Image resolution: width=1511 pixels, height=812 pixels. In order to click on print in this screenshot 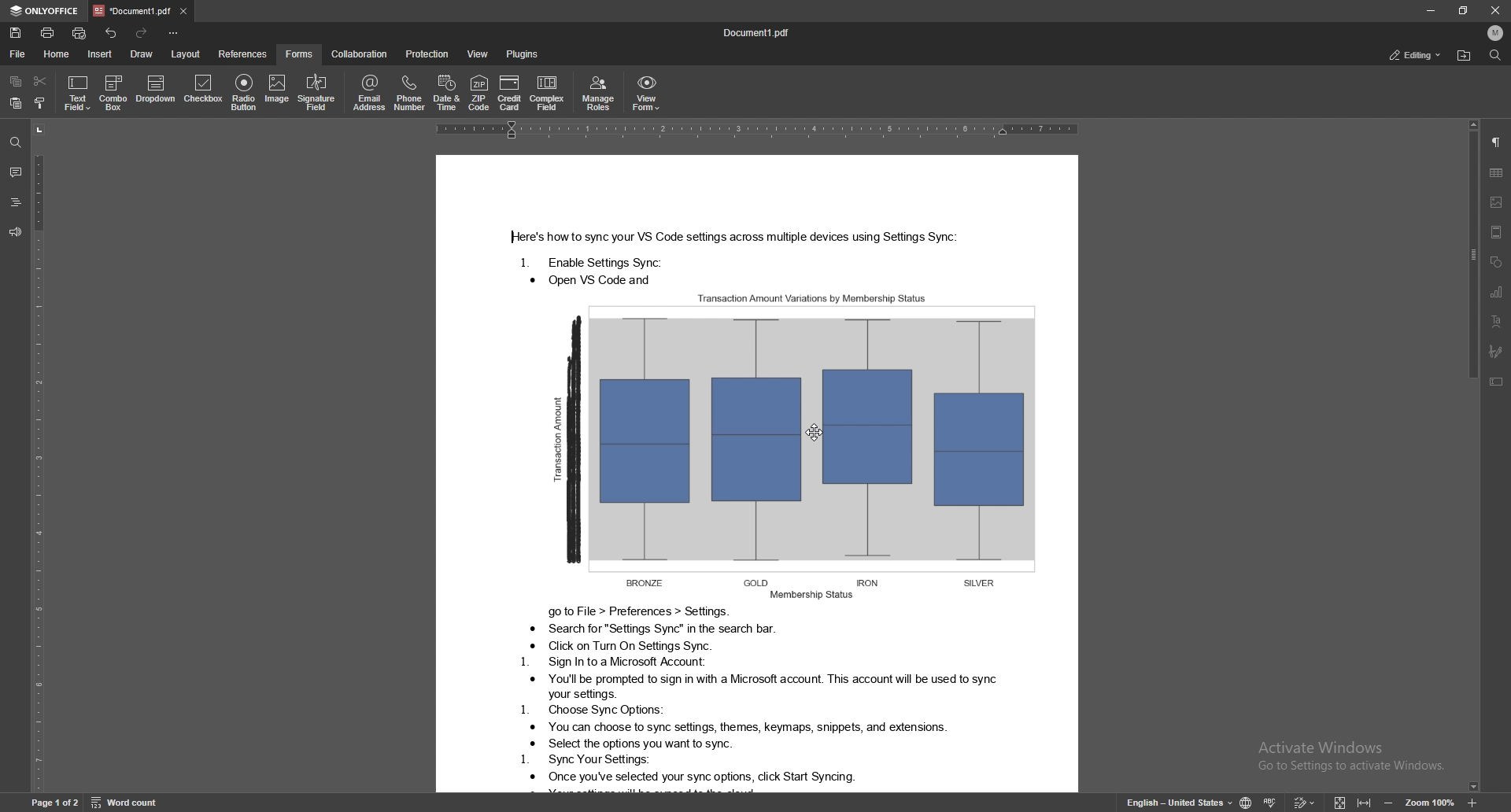, I will do `click(47, 31)`.